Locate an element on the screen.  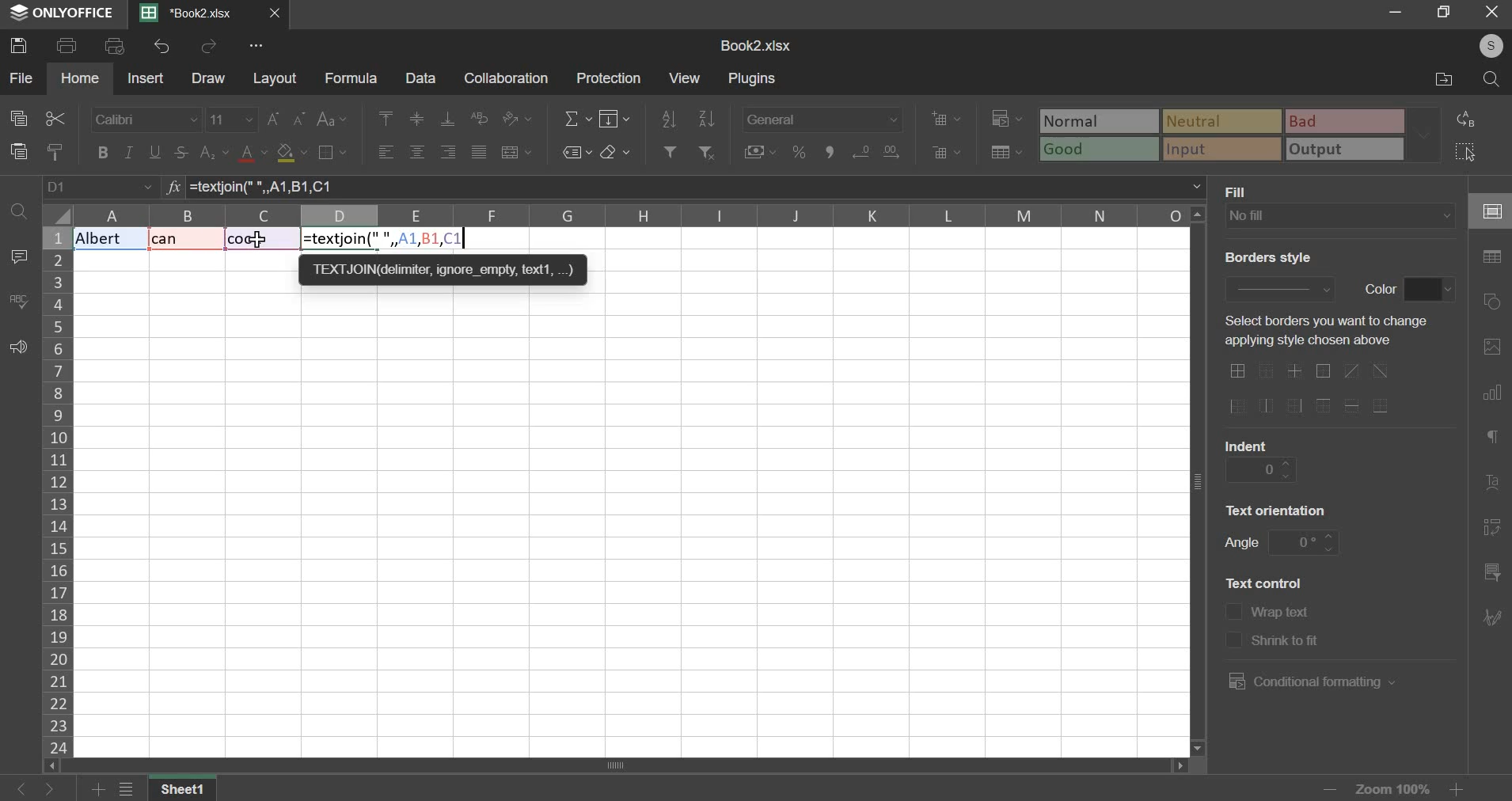
wrap text is located at coordinates (481, 116).